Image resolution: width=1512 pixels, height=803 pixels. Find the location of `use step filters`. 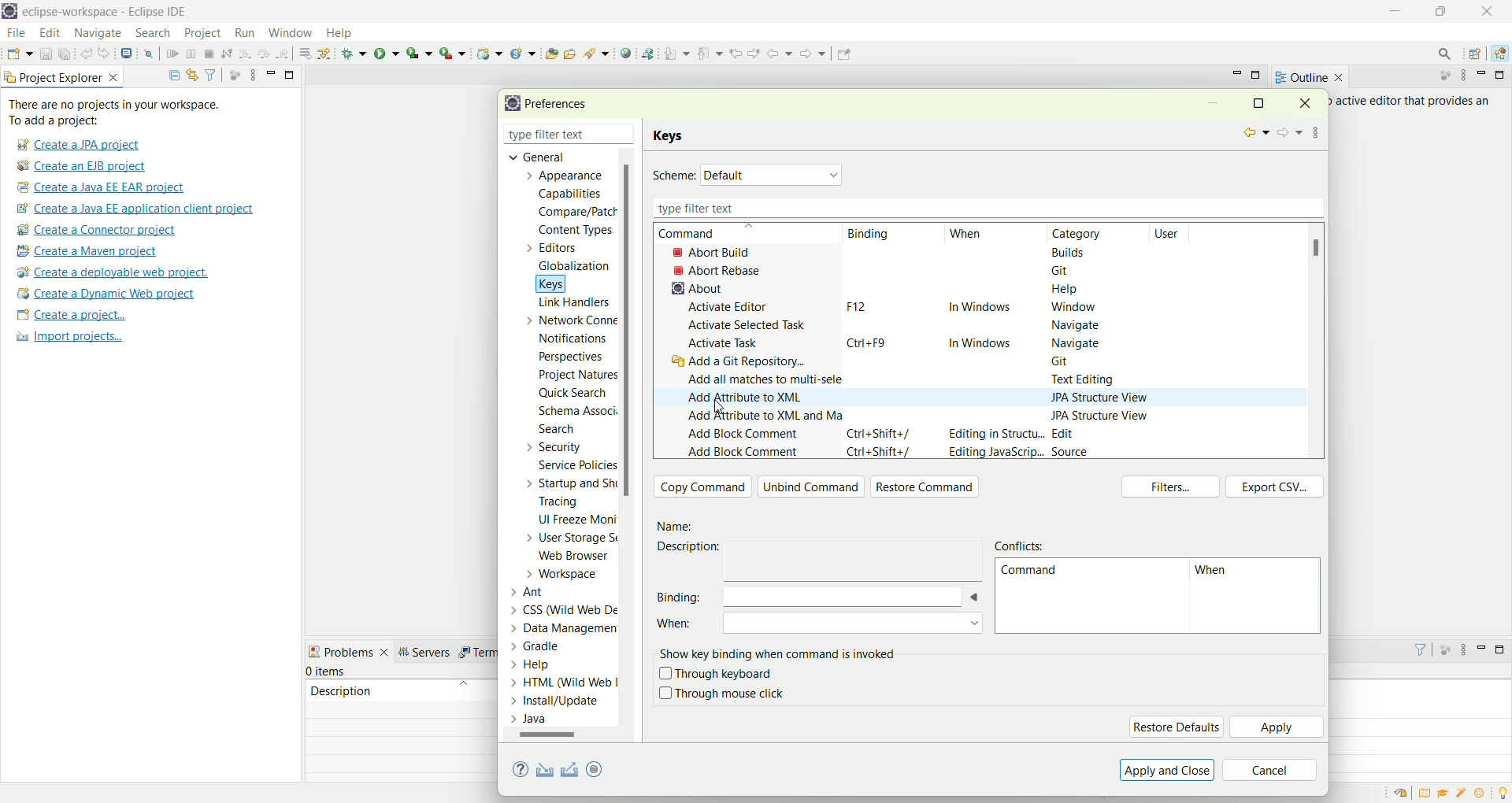

use step filters is located at coordinates (325, 53).